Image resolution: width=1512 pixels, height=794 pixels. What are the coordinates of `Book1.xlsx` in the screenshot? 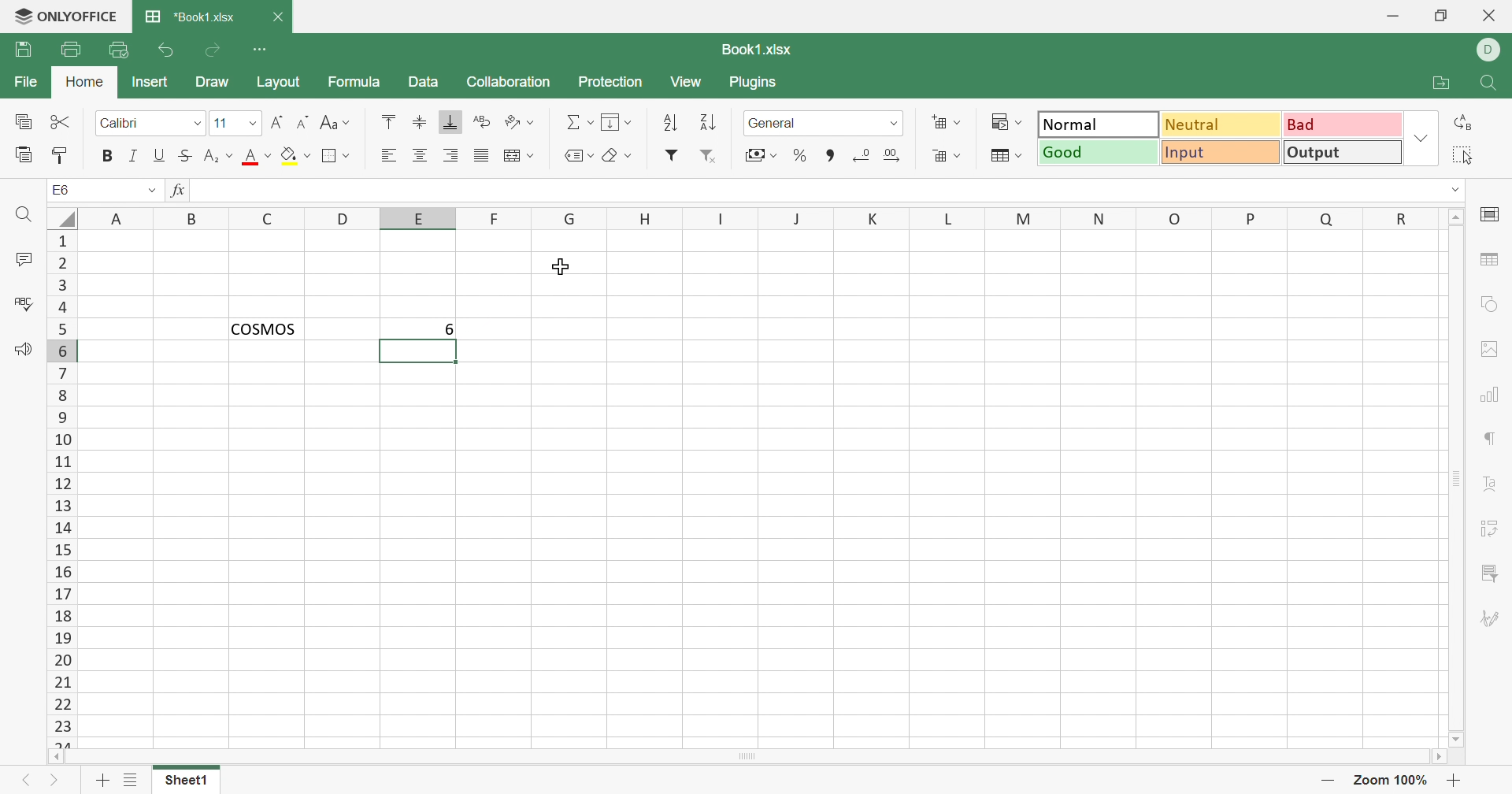 It's located at (190, 17).